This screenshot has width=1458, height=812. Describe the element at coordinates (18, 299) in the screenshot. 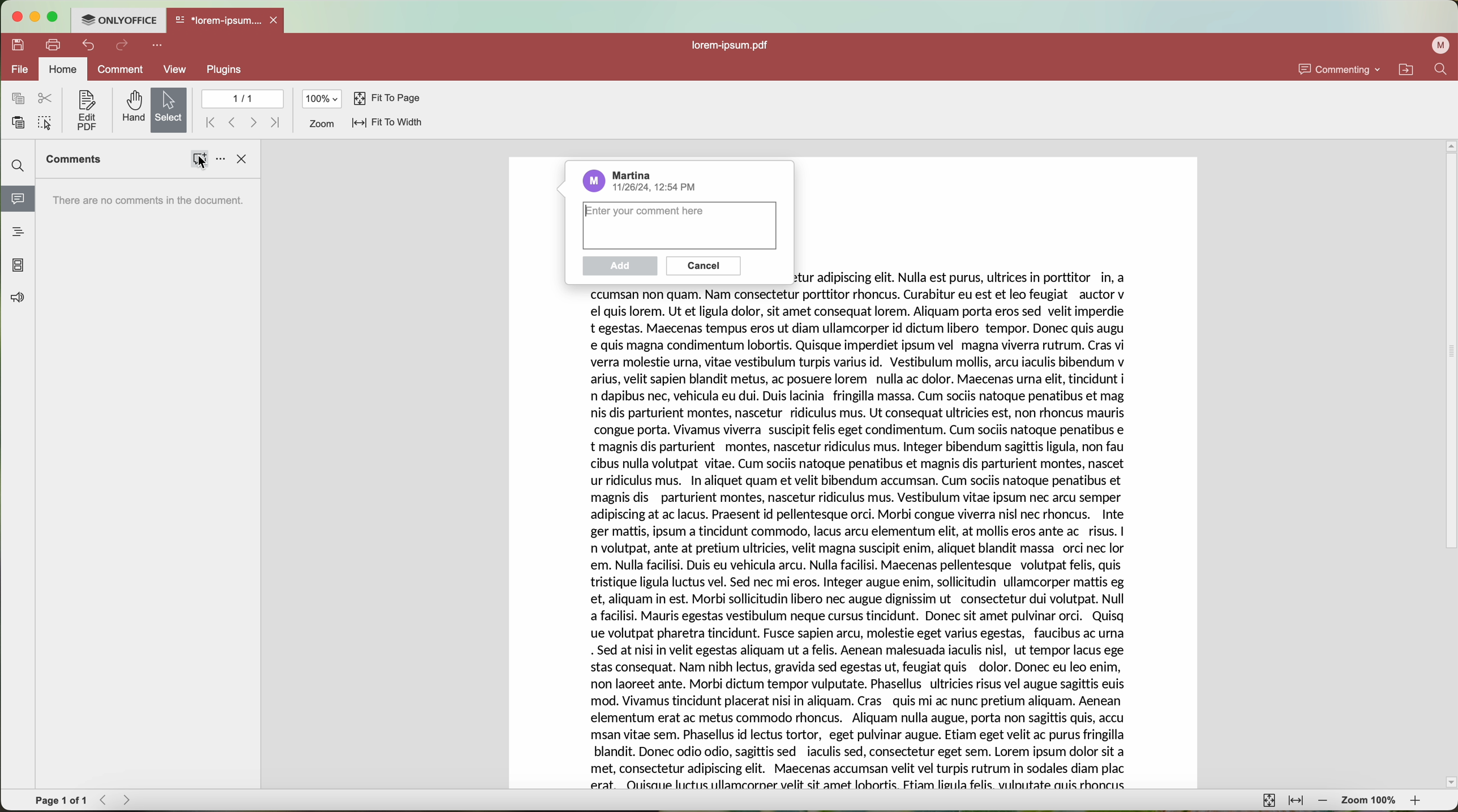

I see `feedback & support` at that location.